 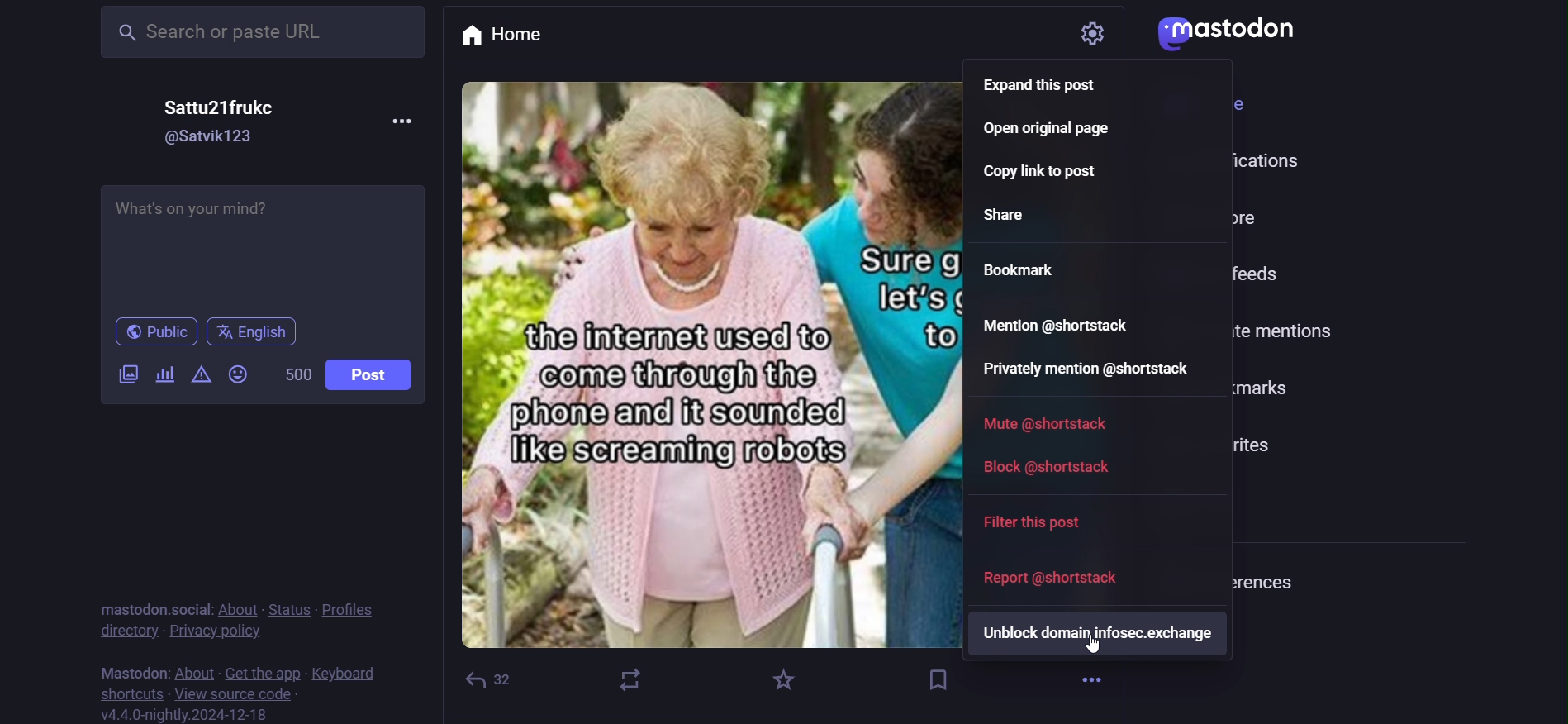 What do you see at coordinates (346, 674) in the screenshot?
I see `keyboard` at bounding box center [346, 674].